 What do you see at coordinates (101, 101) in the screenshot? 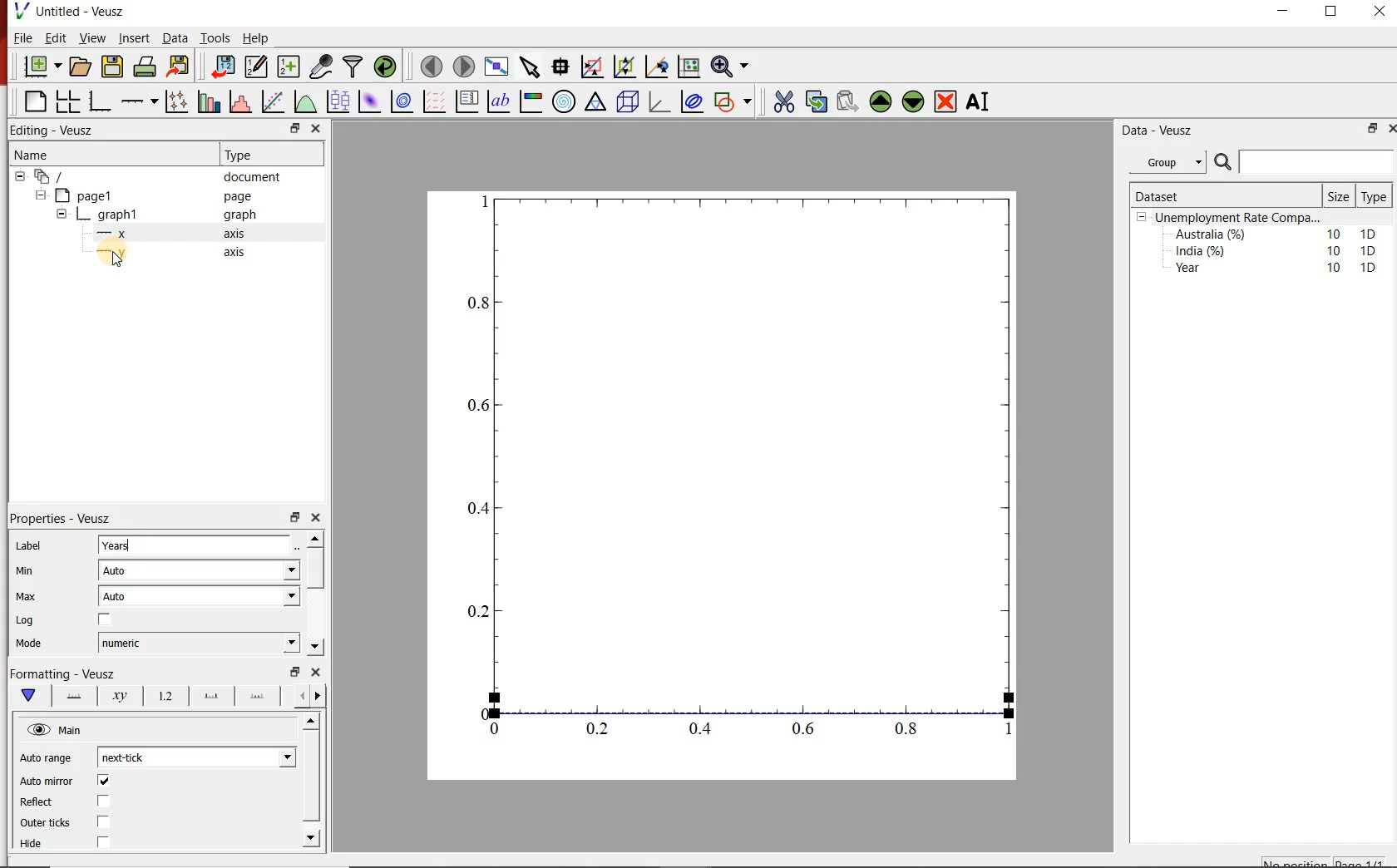
I see `base graphs` at bounding box center [101, 101].